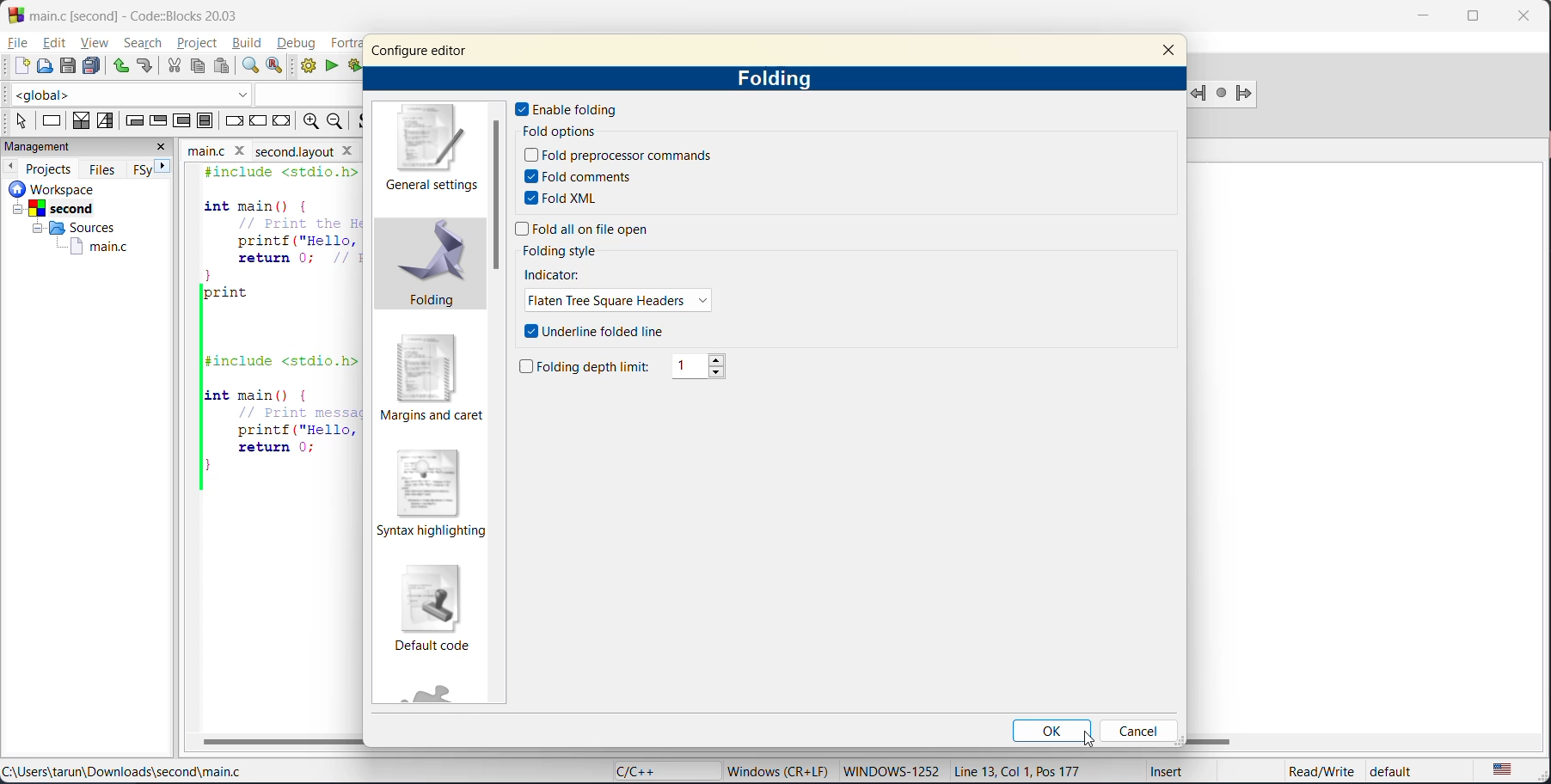 Image resolution: width=1551 pixels, height=784 pixels. What do you see at coordinates (152, 13) in the screenshot?
I see `app name and file name` at bounding box center [152, 13].